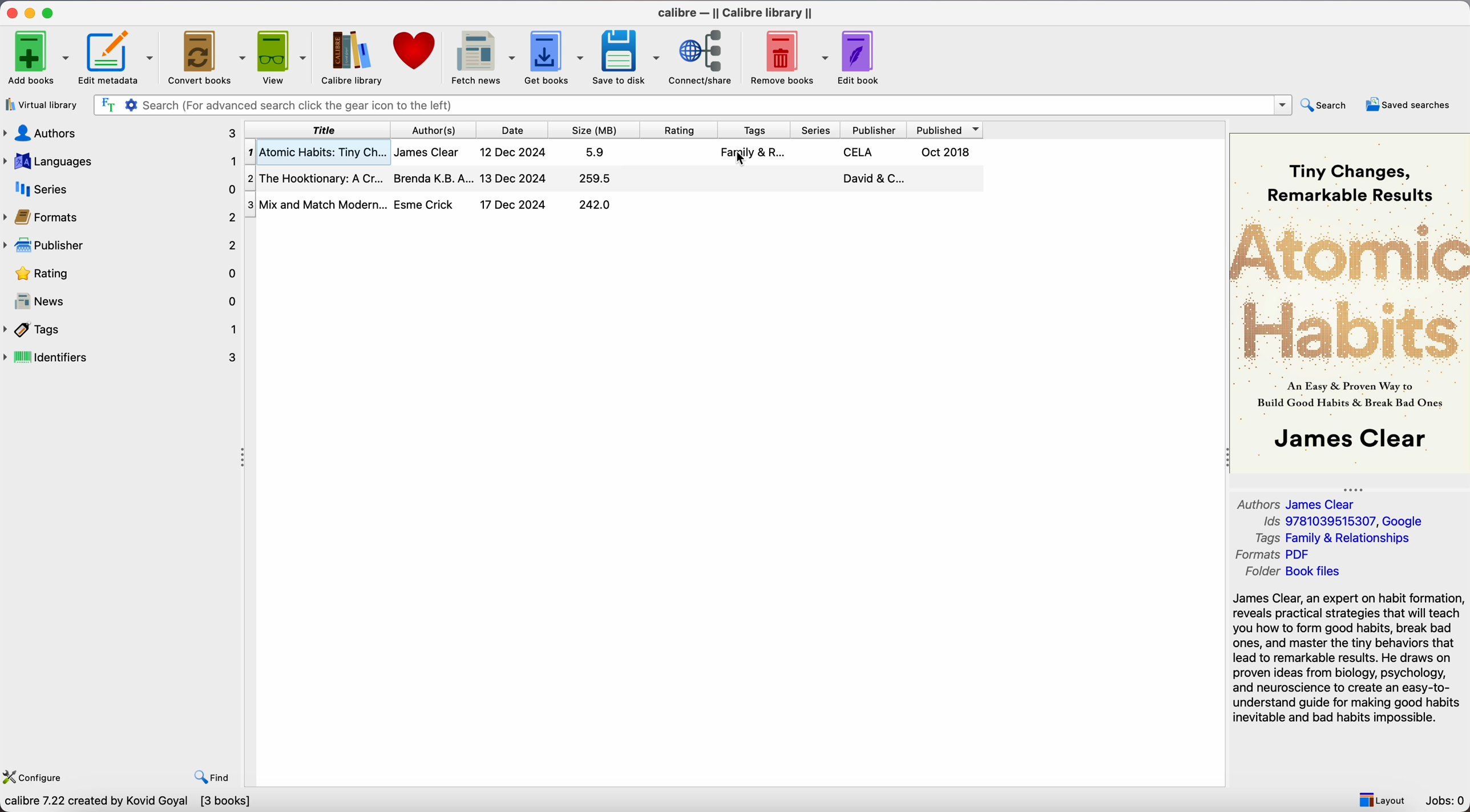 This screenshot has height=812, width=1470. I want to click on 295.5, so click(594, 179).